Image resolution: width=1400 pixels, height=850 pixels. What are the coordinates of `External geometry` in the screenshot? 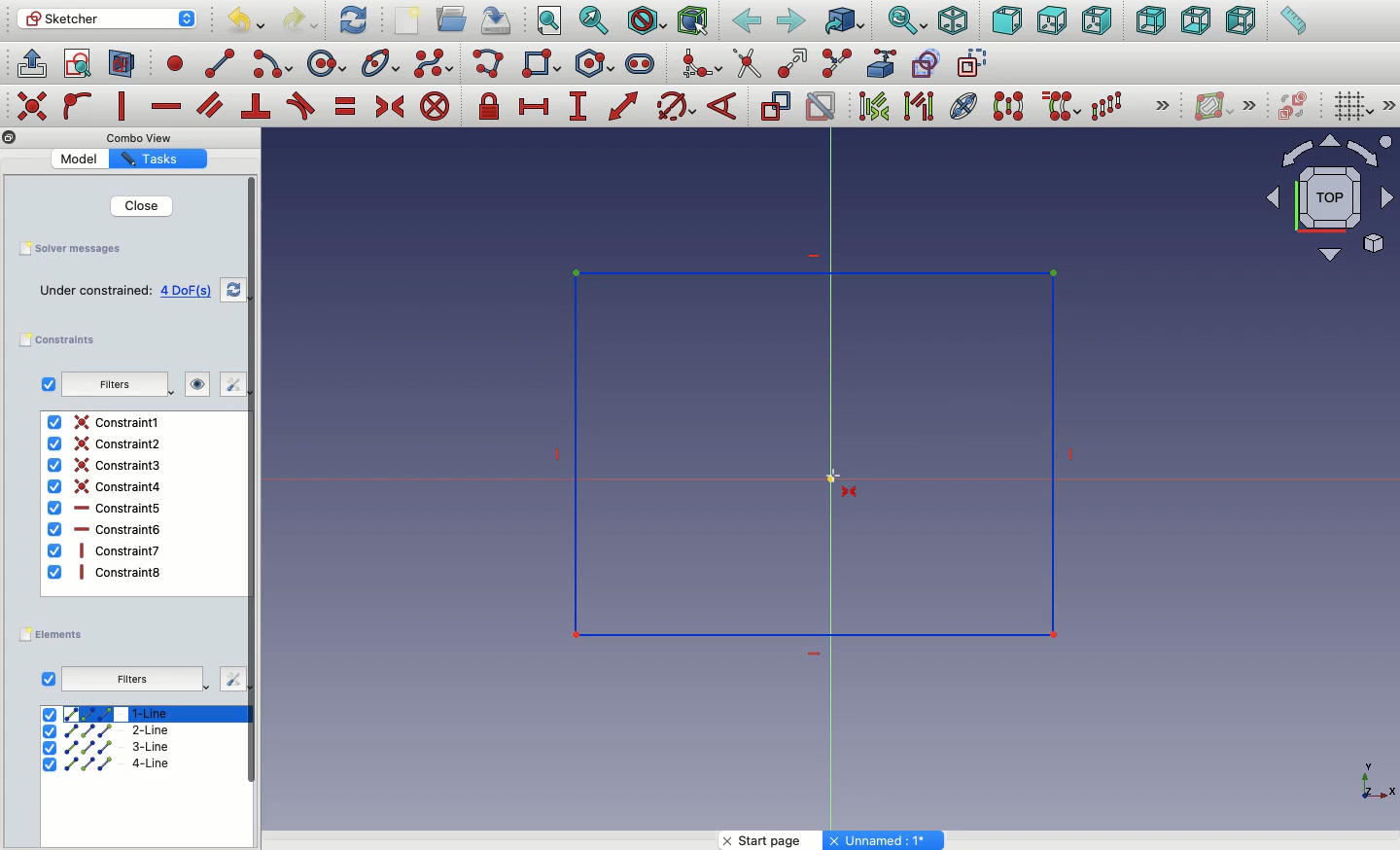 It's located at (880, 63).